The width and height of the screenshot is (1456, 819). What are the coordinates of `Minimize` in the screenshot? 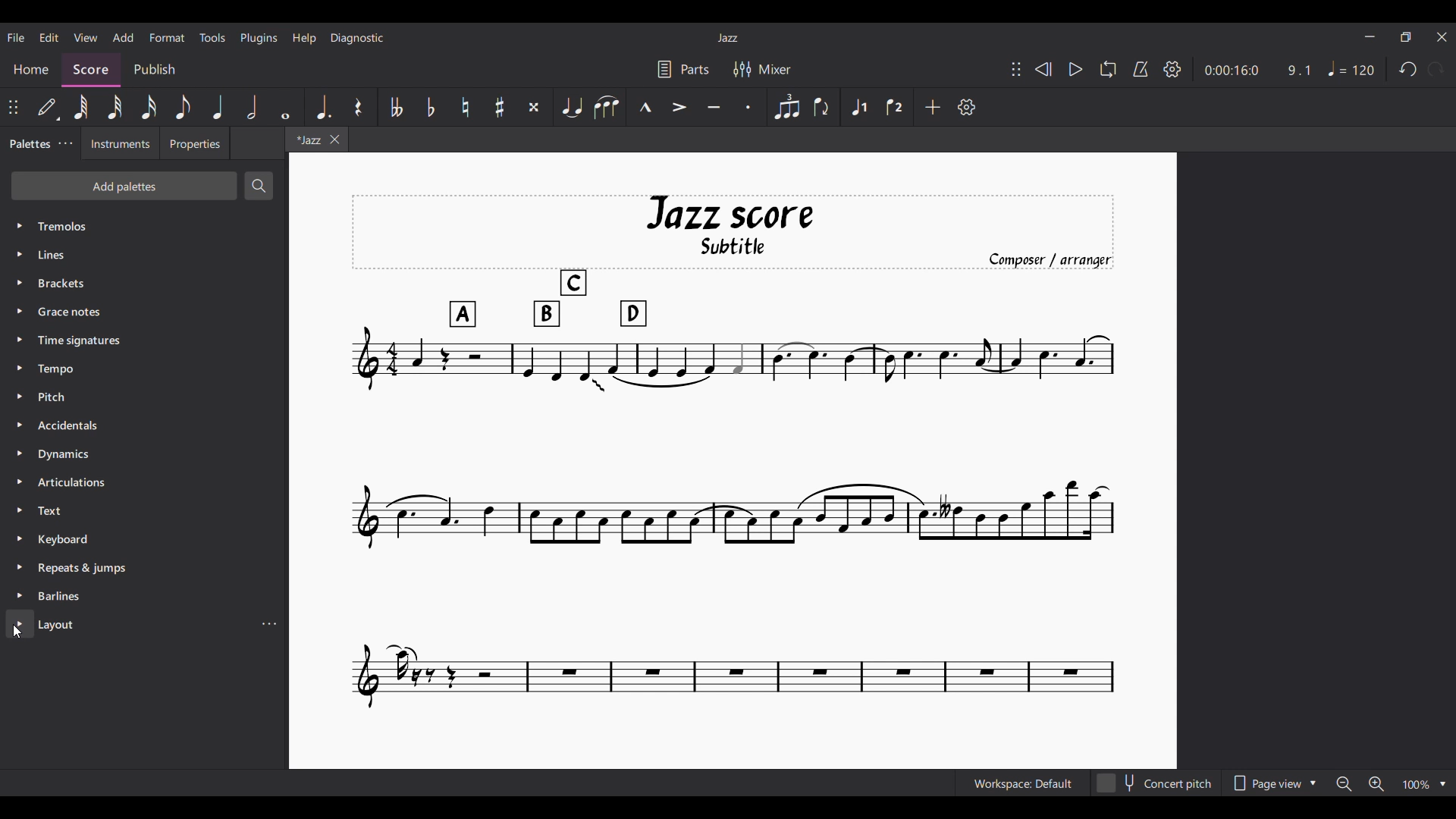 It's located at (1370, 36).